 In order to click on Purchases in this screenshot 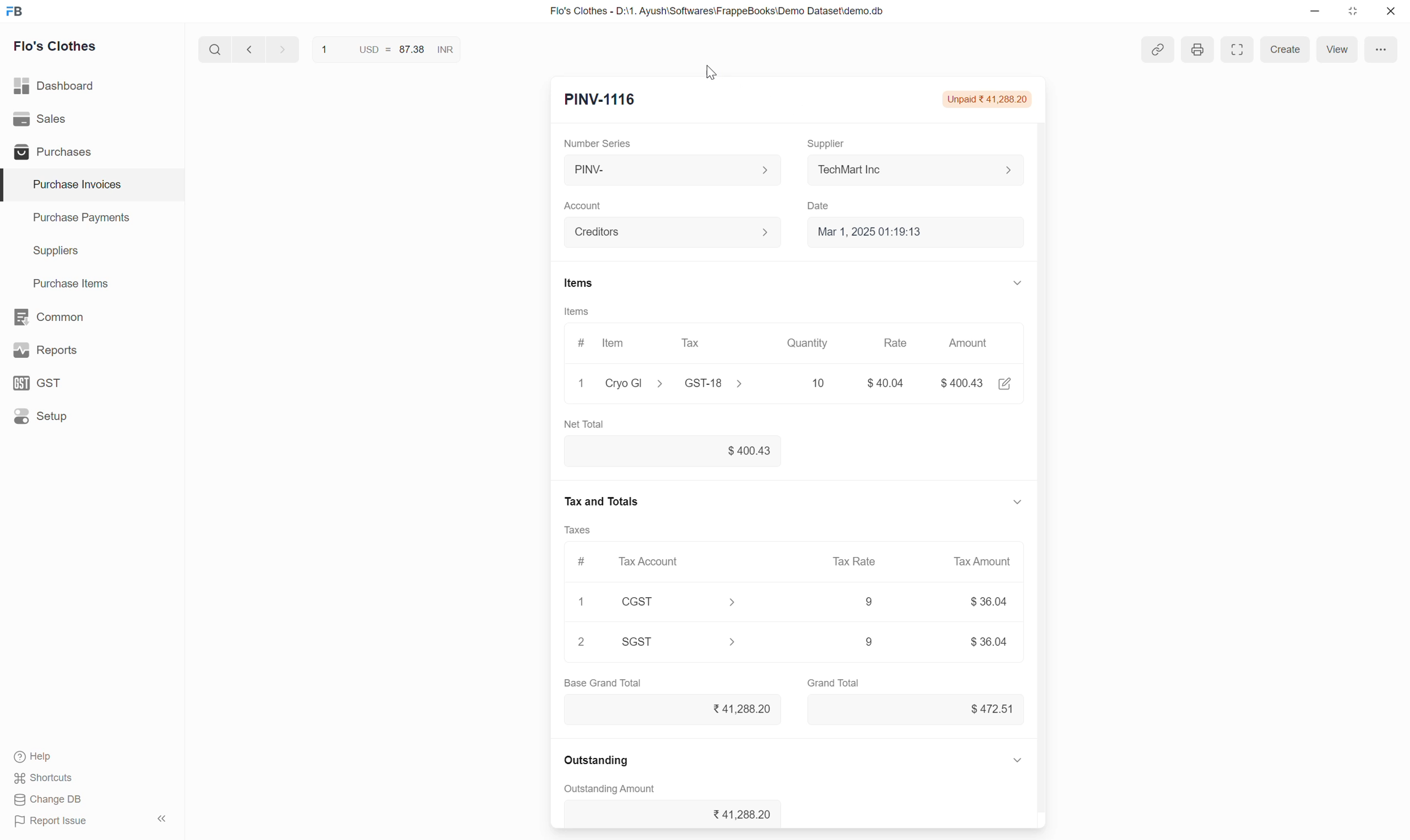, I will do `click(50, 152)`.